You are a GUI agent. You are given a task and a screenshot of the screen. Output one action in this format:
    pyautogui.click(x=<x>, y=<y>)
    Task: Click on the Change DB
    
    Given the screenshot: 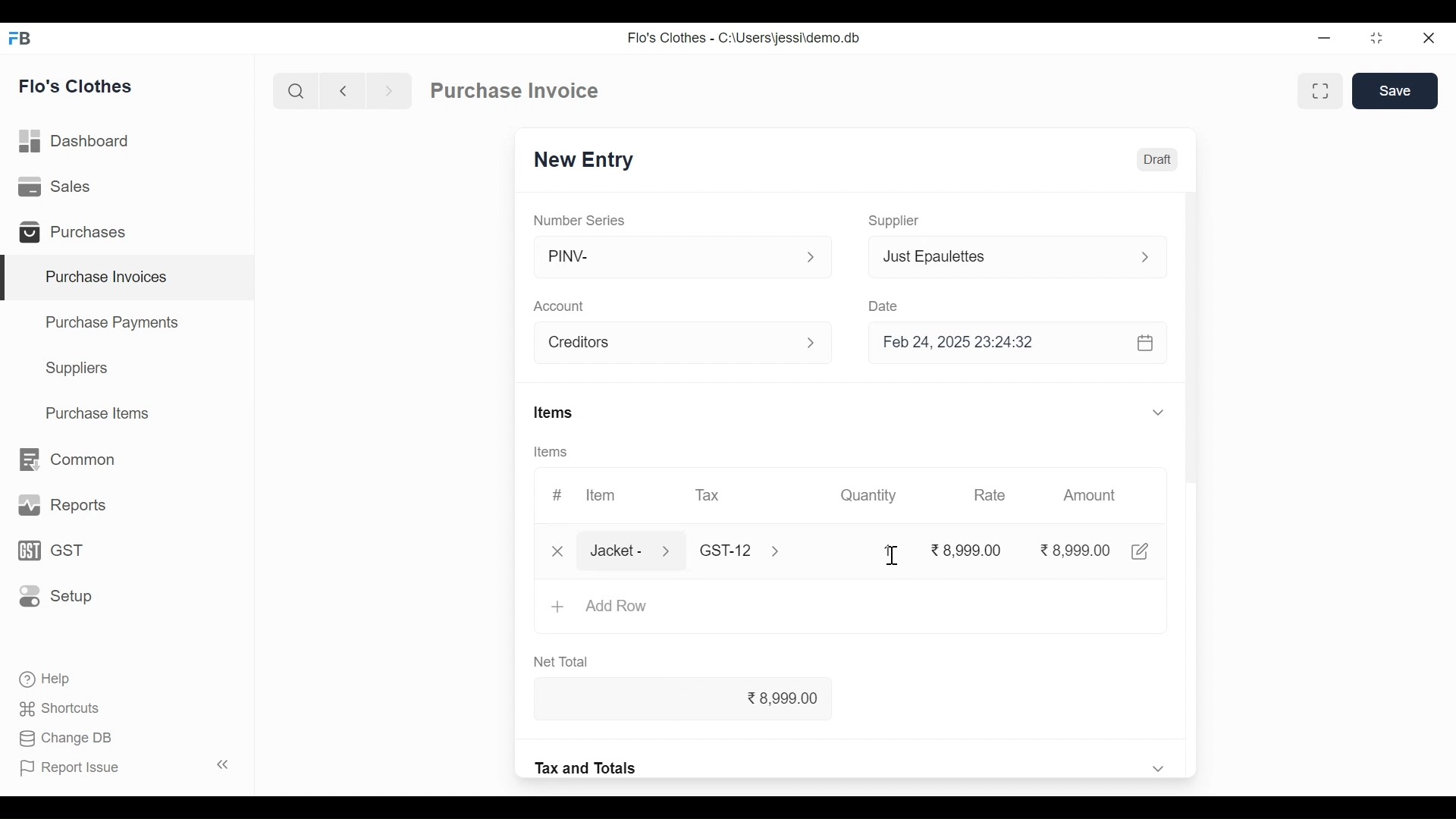 What is the action you would take?
    pyautogui.click(x=67, y=738)
    